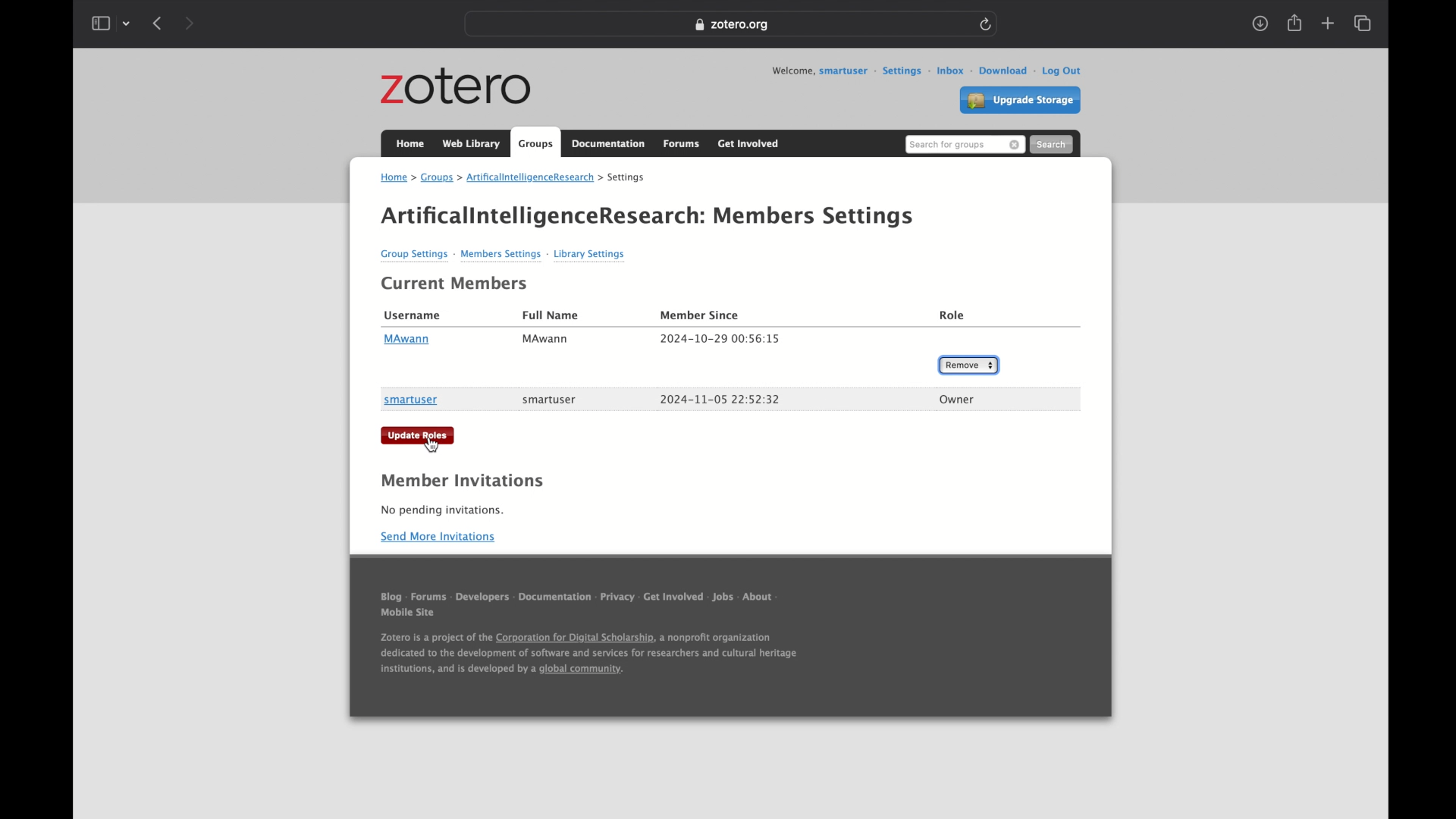 The height and width of the screenshot is (819, 1456). What do you see at coordinates (409, 617) in the screenshot?
I see `mobile sit` at bounding box center [409, 617].